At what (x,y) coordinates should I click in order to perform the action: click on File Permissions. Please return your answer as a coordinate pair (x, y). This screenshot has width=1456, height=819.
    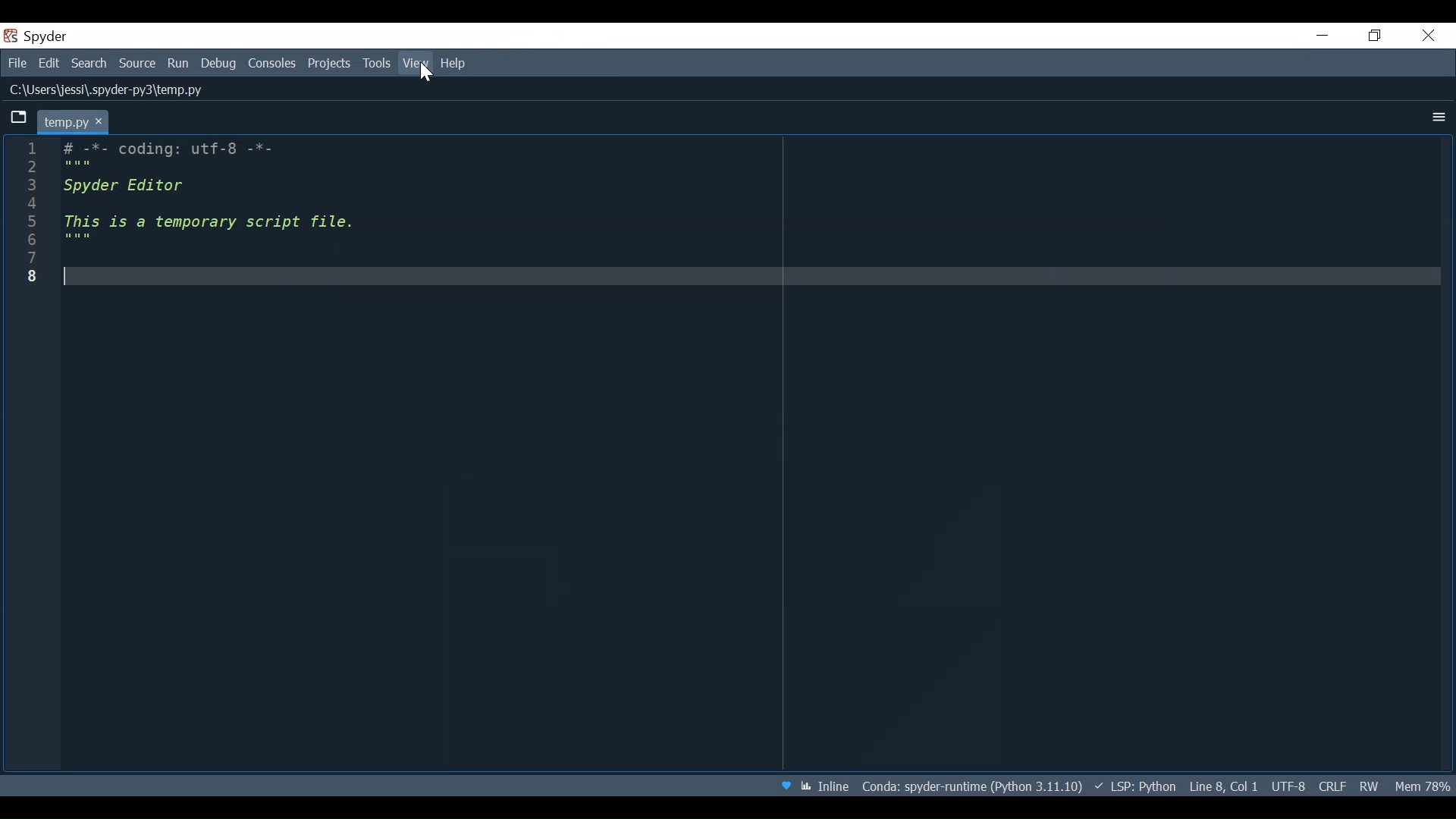
    Looking at the image, I should click on (1370, 787).